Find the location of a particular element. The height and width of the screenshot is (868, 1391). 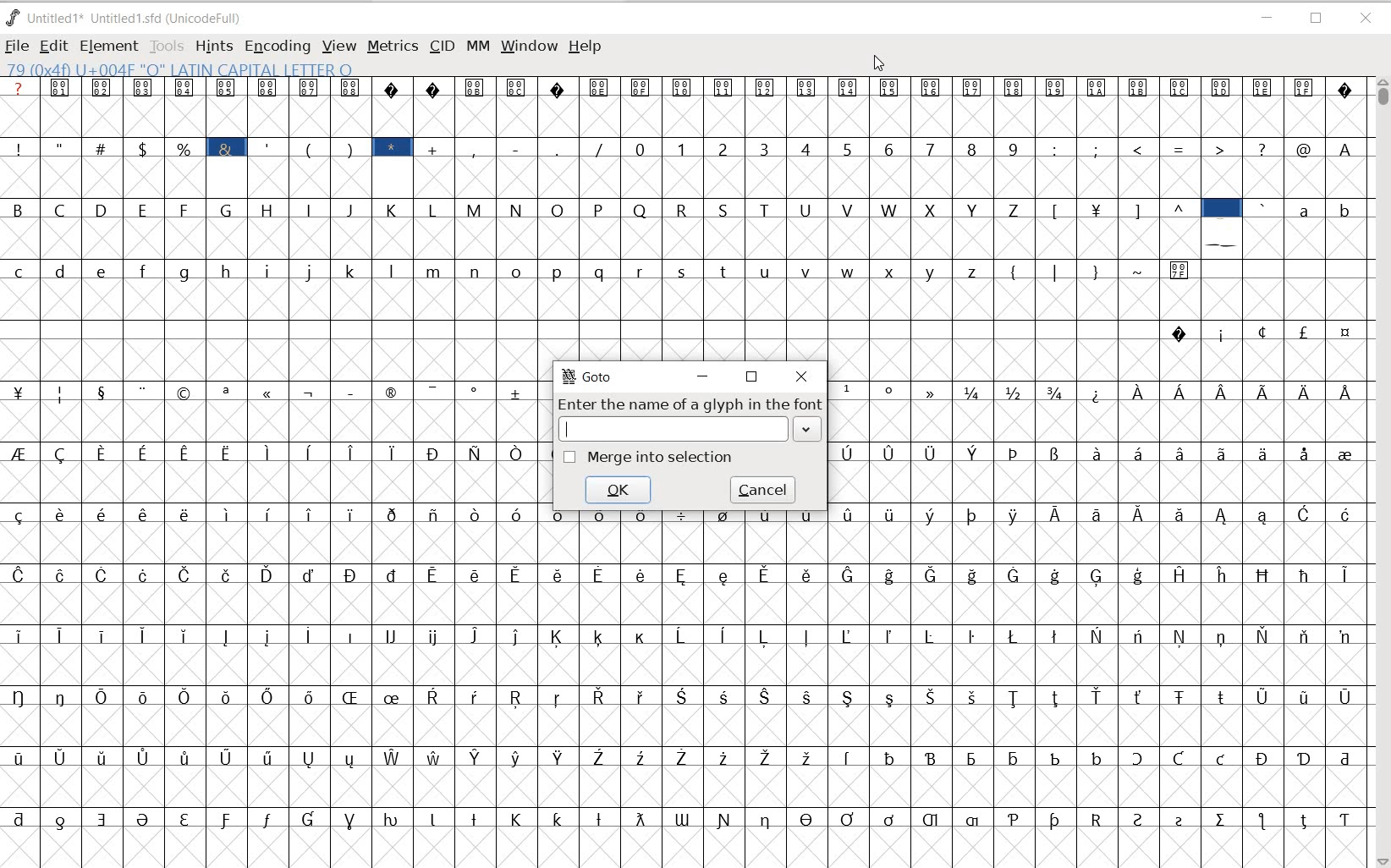

GLYPHY CHARACTERS & NUMBERS is located at coordinates (948, 687).